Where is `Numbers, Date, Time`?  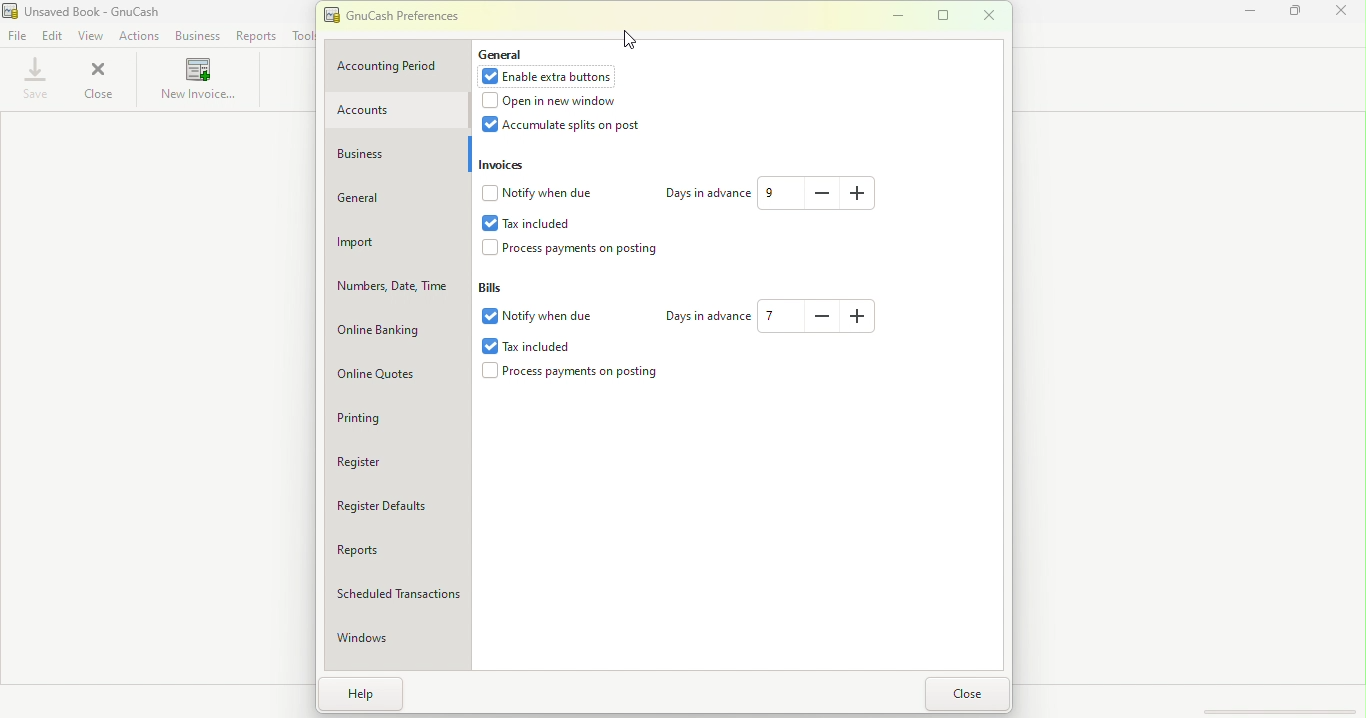
Numbers, Date, Time is located at coordinates (392, 286).